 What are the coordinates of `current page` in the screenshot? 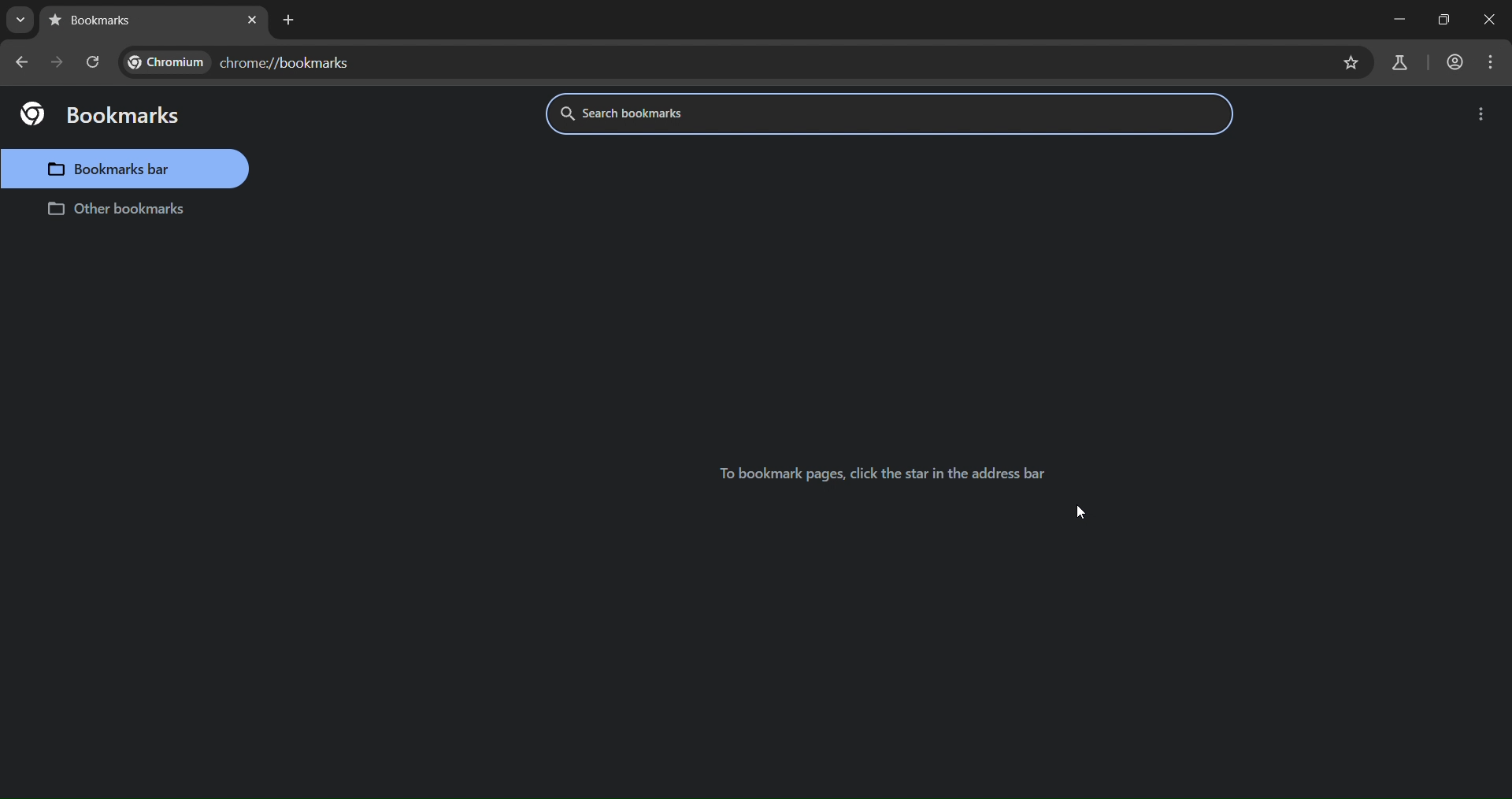 It's located at (100, 21).